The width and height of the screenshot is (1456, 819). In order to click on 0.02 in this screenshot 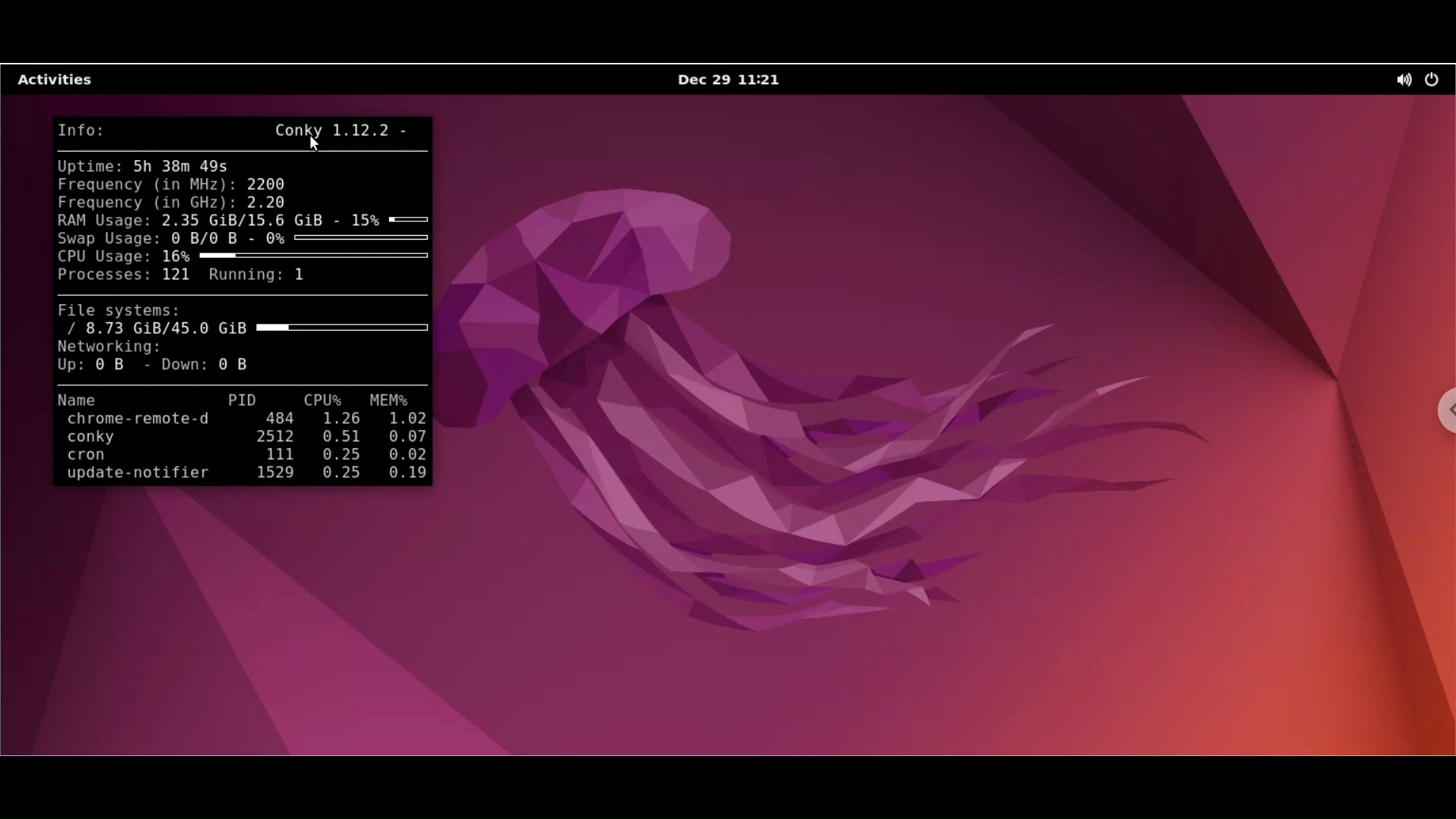, I will do `click(406, 454)`.